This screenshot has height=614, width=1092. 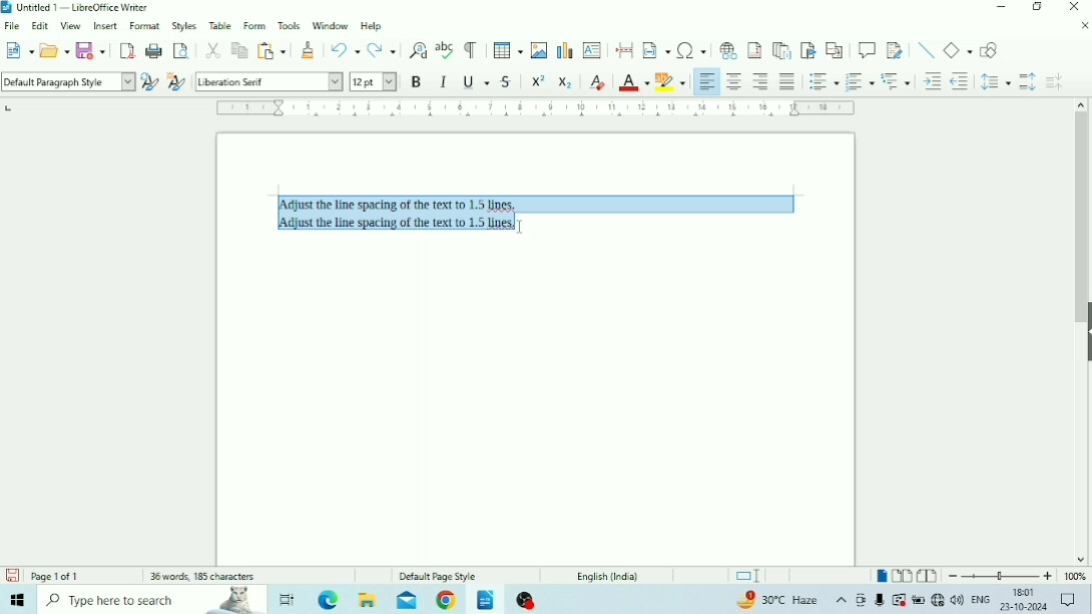 I want to click on LibreOffice Writer, so click(x=484, y=600).